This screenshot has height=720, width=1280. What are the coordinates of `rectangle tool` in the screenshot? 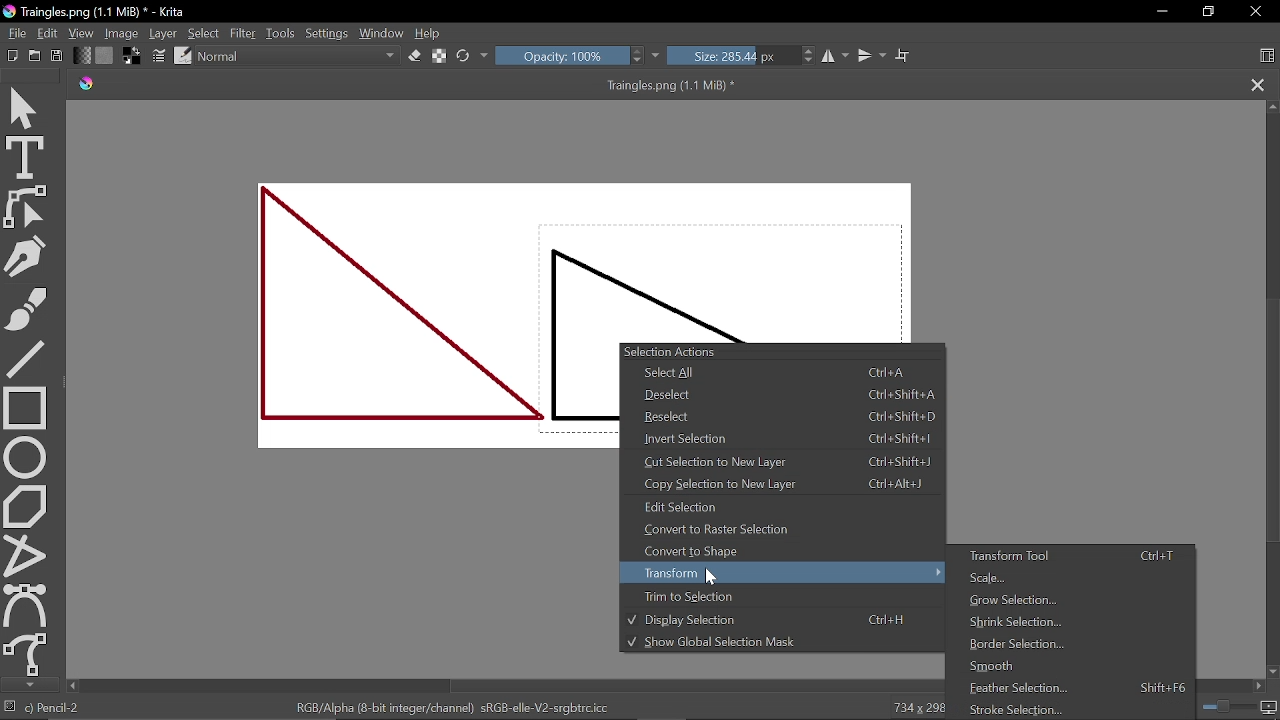 It's located at (26, 406).